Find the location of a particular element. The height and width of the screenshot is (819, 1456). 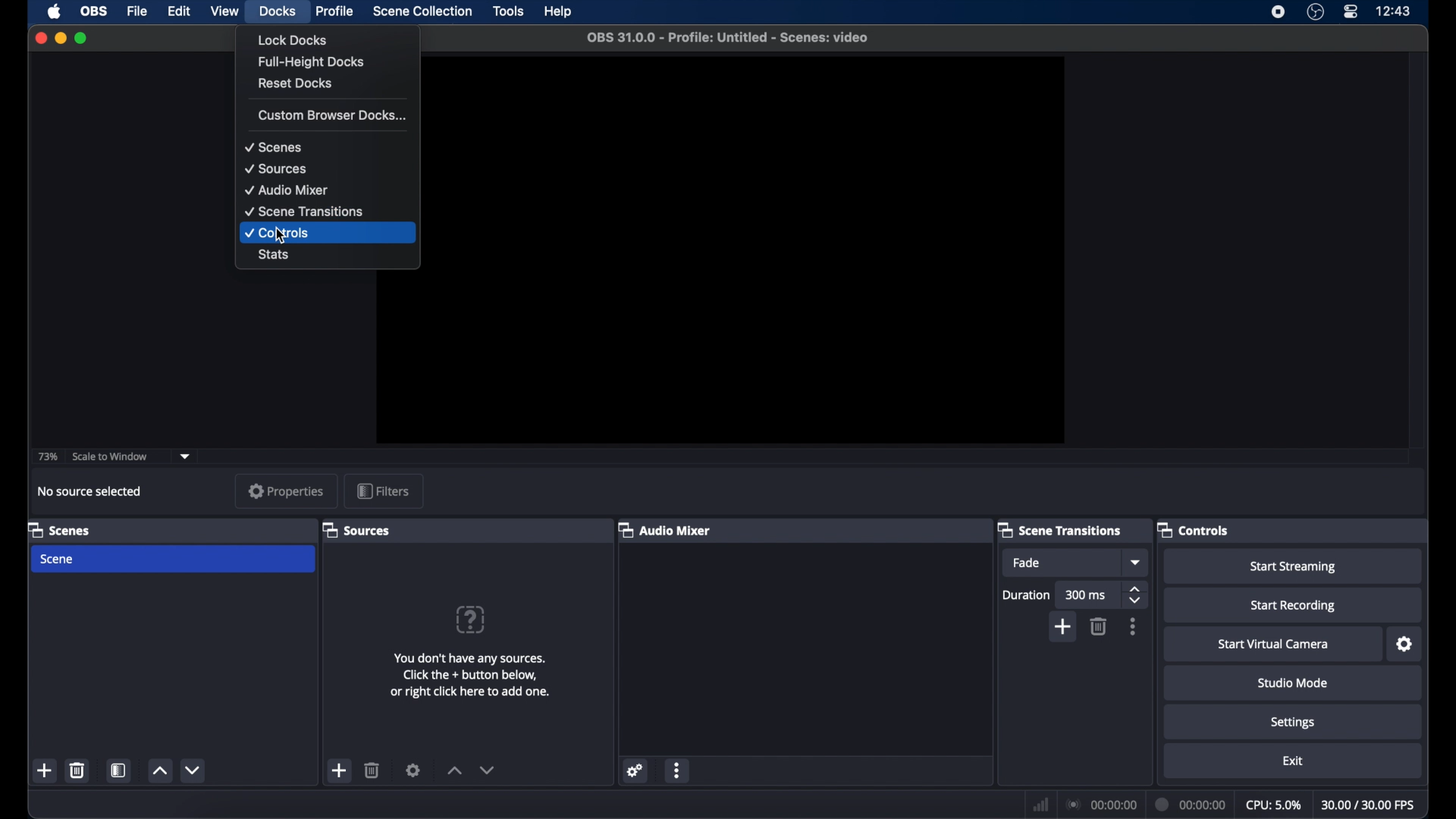

filters is located at coordinates (383, 491).